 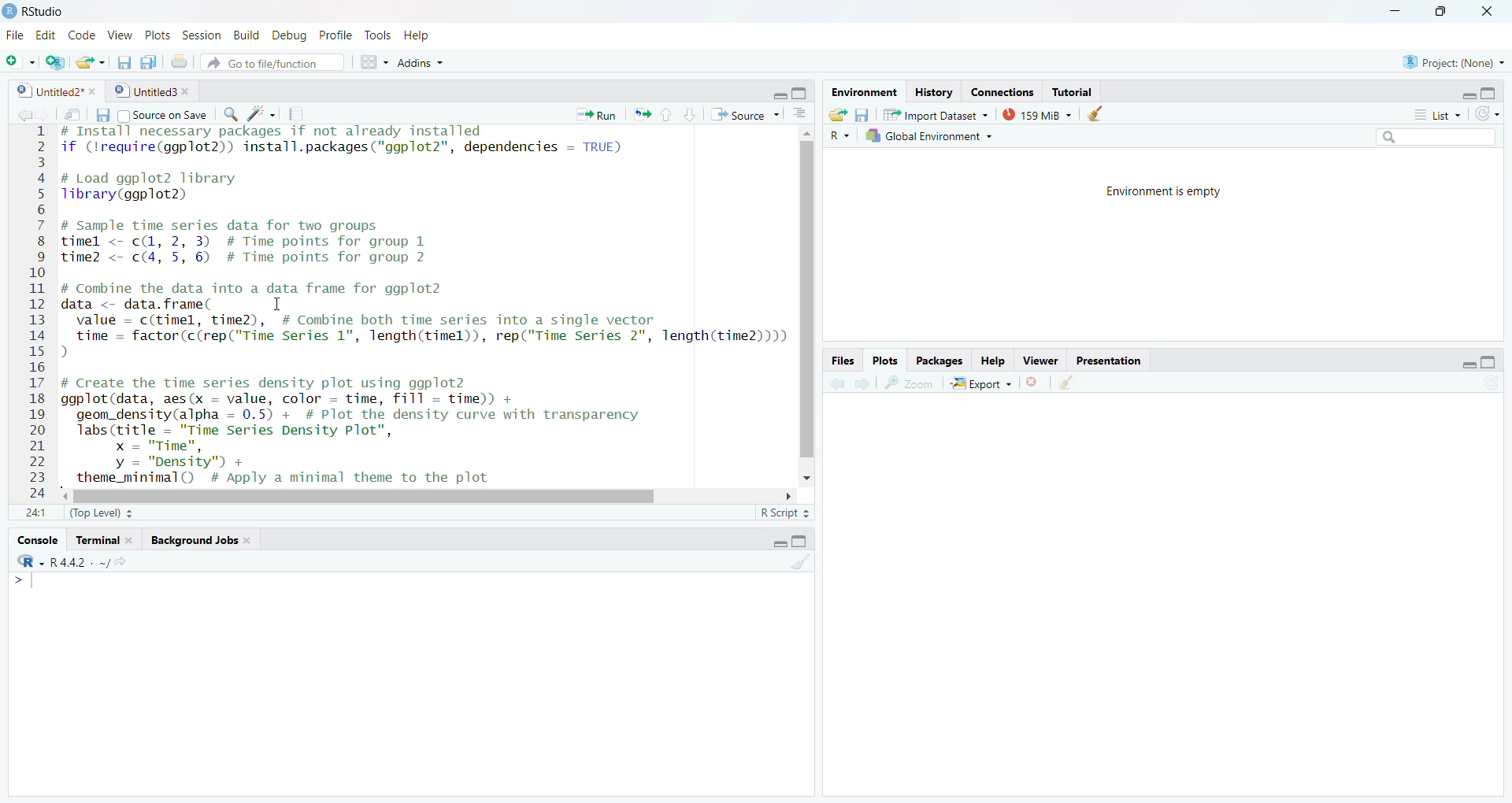 What do you see at coordinates (935, 92) in the screenshot?
I see `History` at bounding box center [935, 92].